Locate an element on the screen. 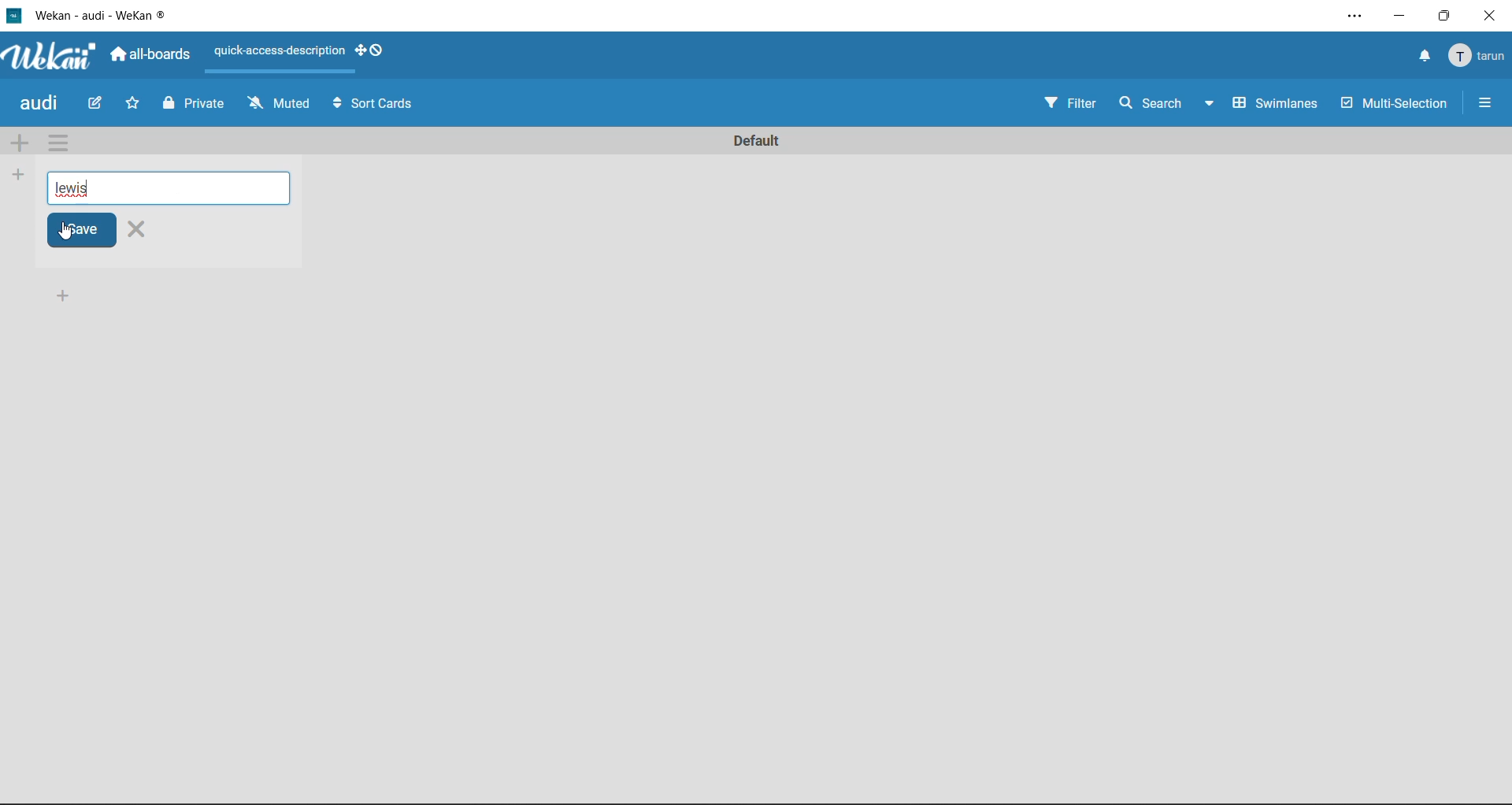  Multi-selection is located at coordinates (1397, 106).